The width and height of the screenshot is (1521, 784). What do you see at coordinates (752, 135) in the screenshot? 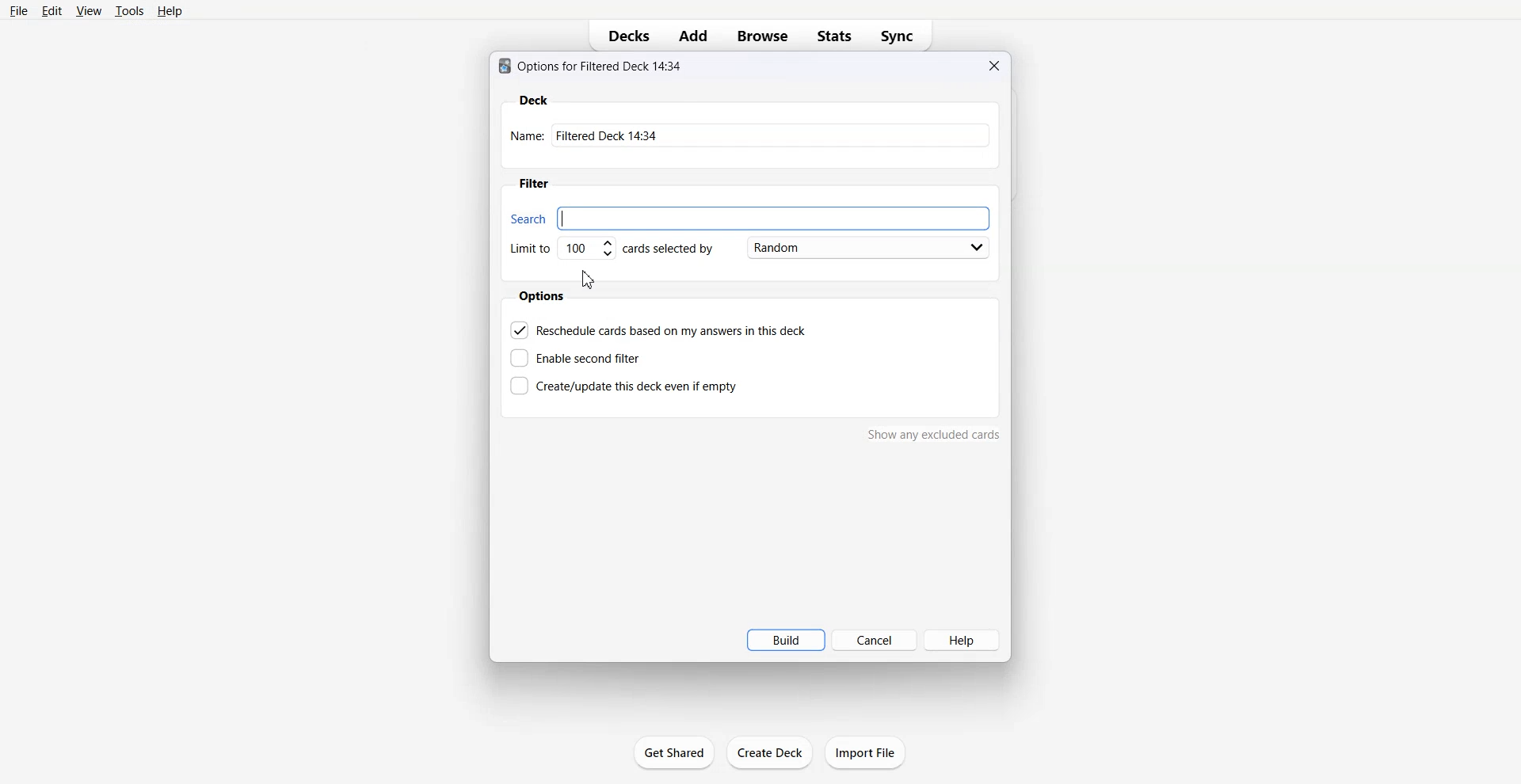
I see `Name` at bounding box center [752, 135].